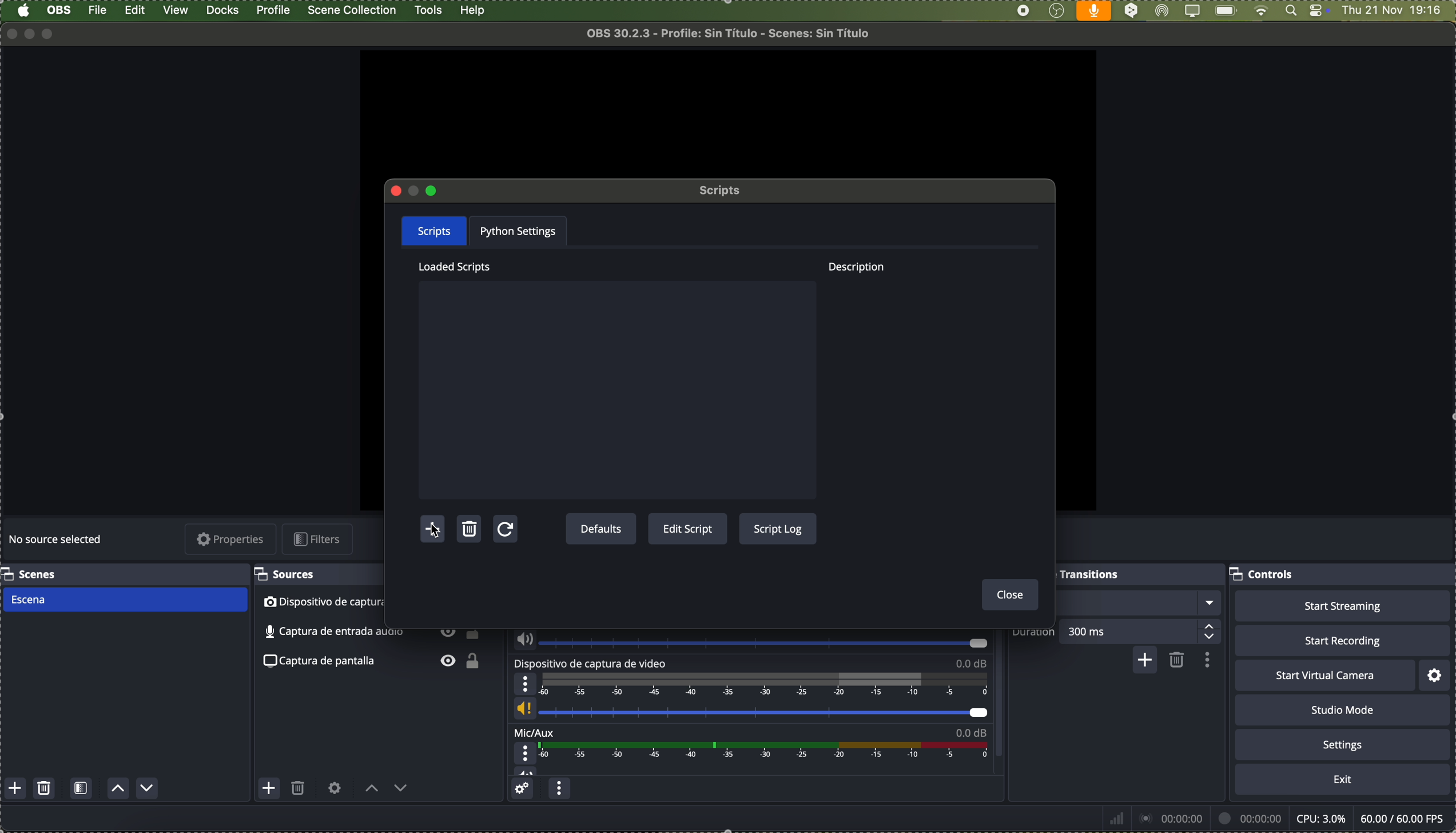 Image resolution: width=1456 pixels, height=833 pixels. I want to click on scroll bar, so click(1004, 697).